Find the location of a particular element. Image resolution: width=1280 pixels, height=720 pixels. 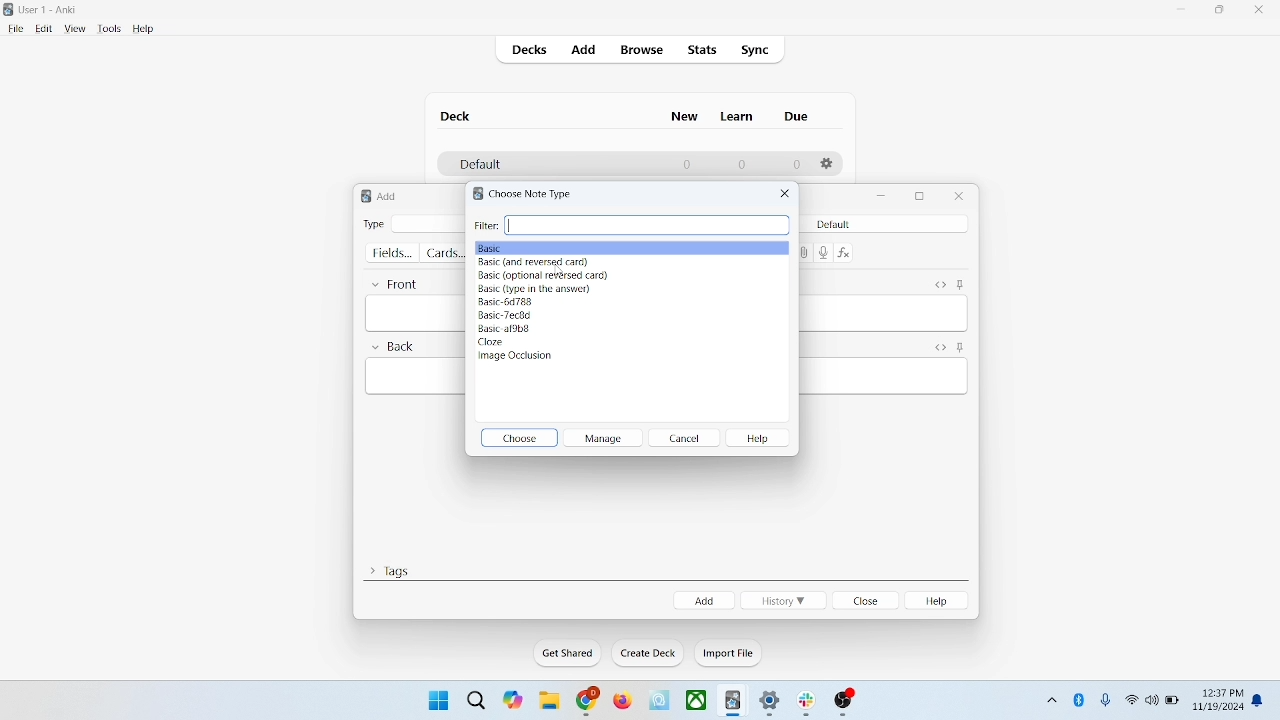

User-1 Anki is located at coordinates (52, 11).